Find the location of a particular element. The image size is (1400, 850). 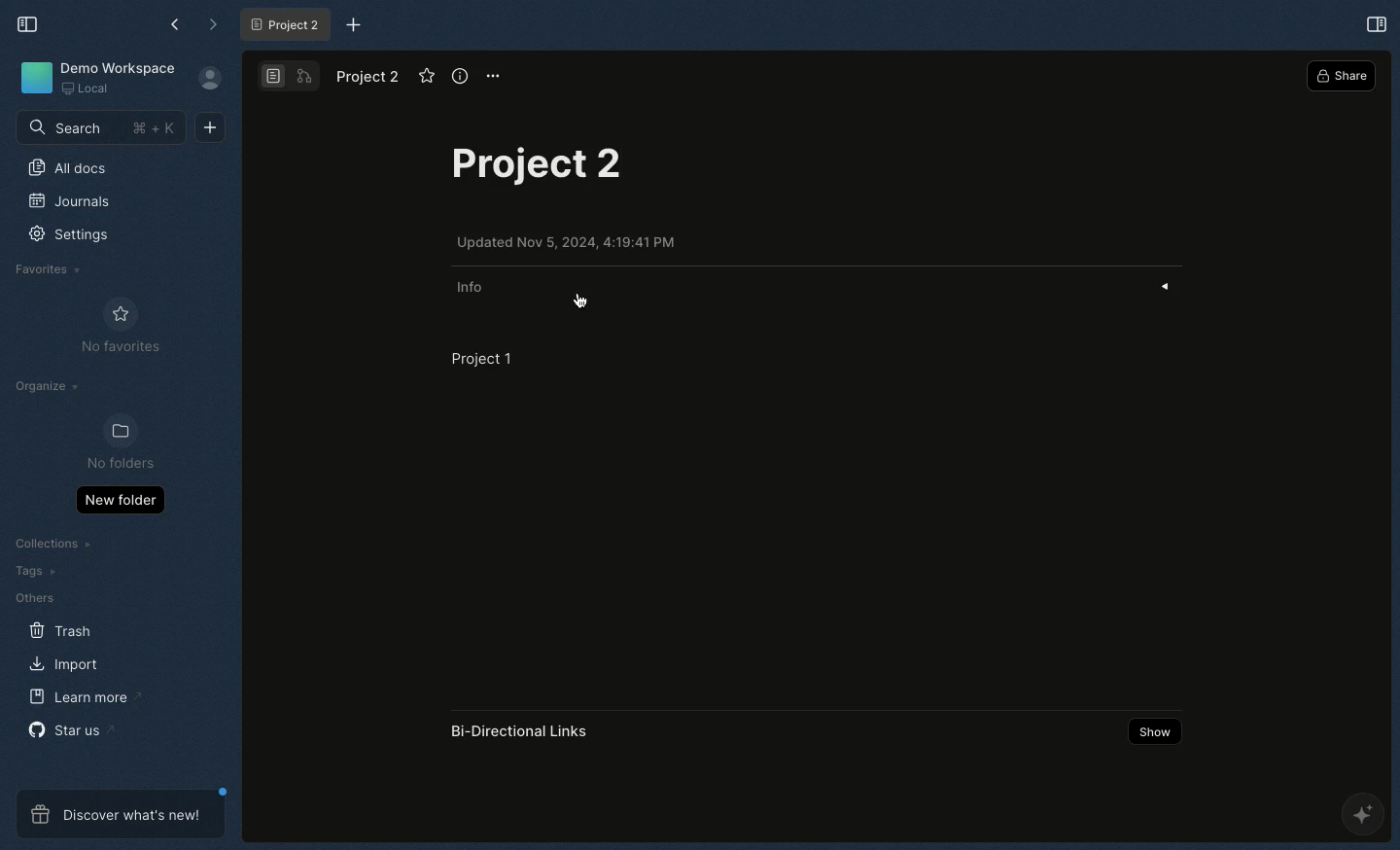

Learn more is located at coordinates (85, 697).